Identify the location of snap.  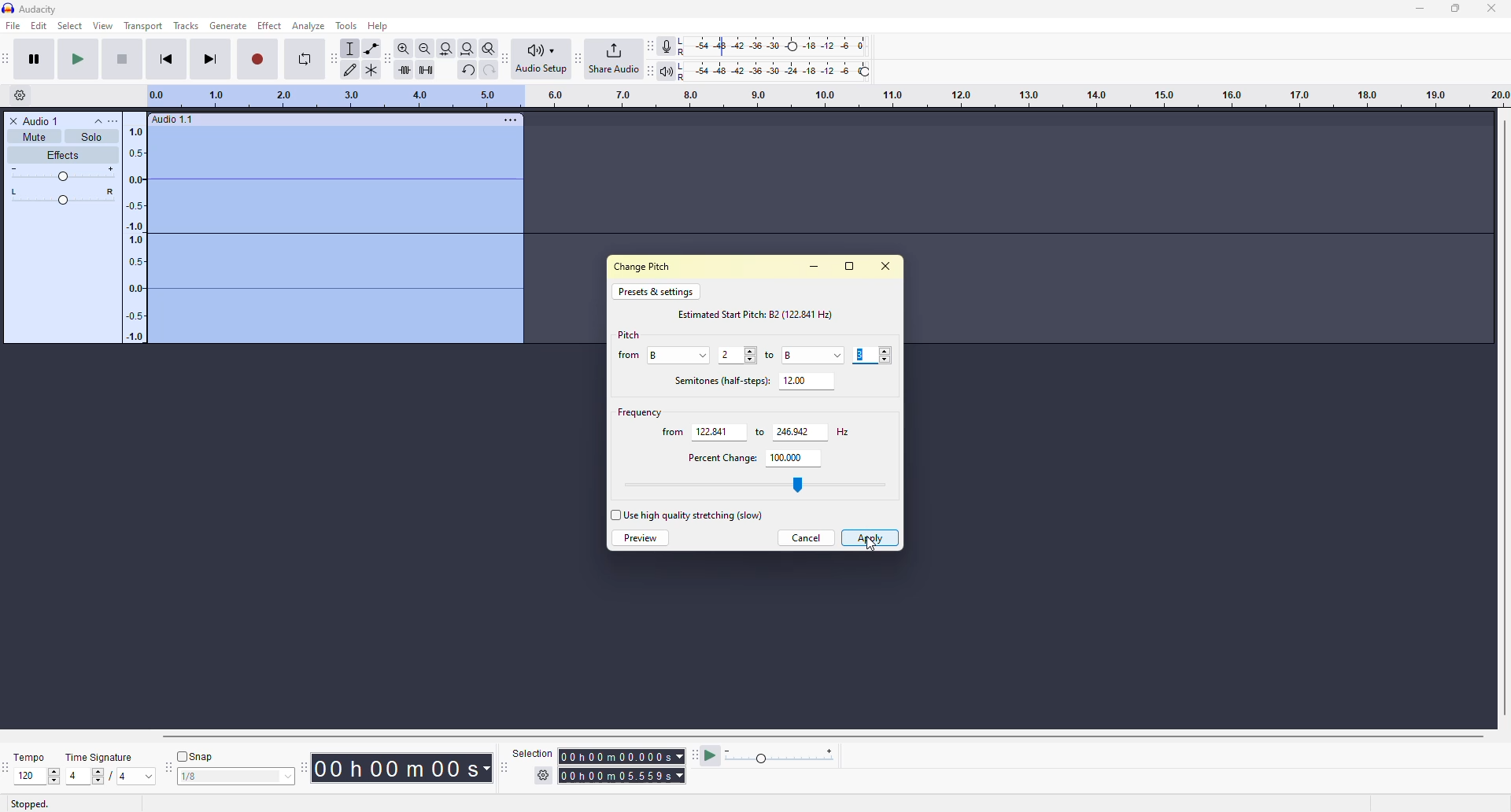
(198, 756).